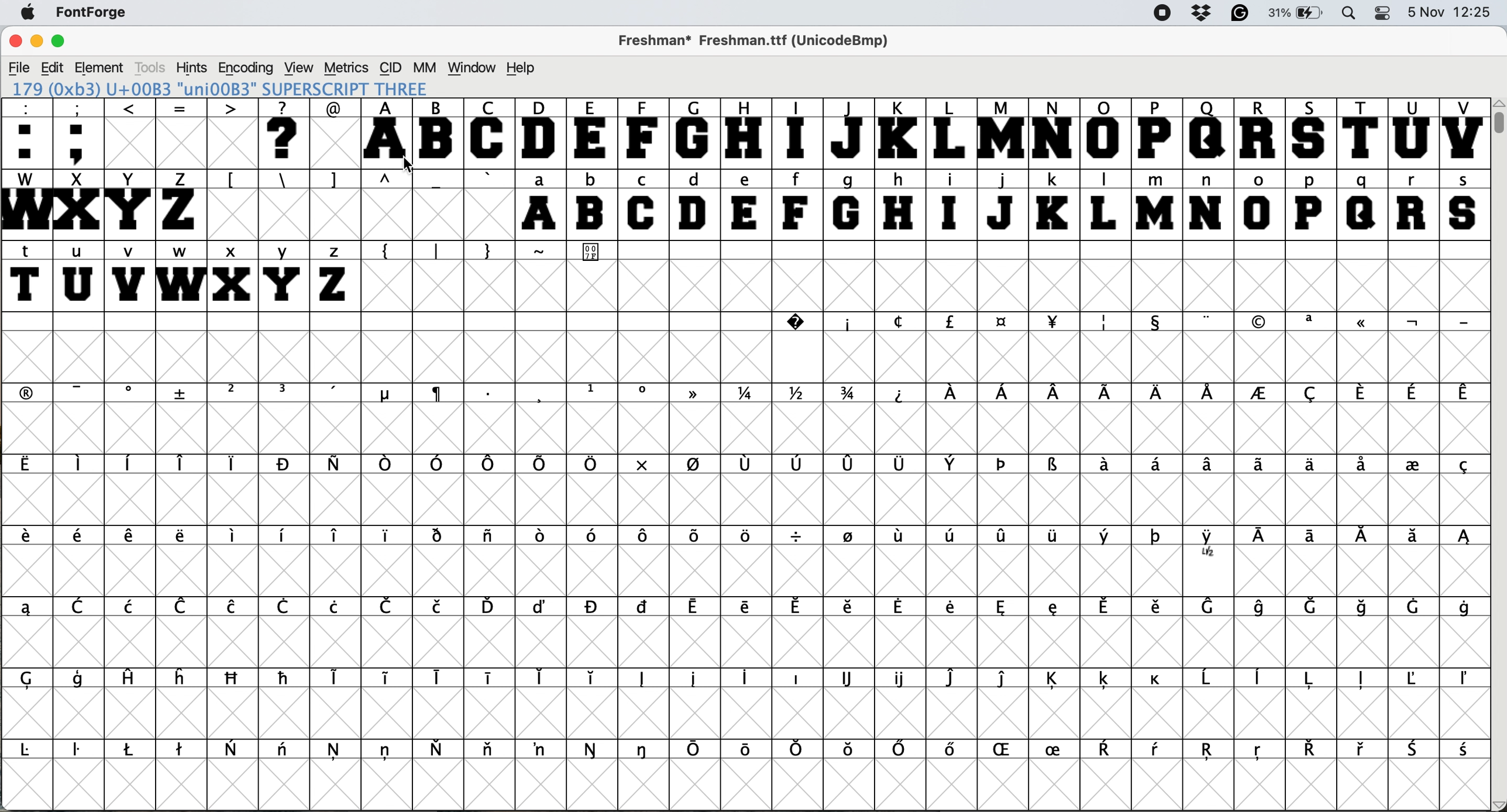 The image size is (1507, 812). I want to click on Symbol, so click(594, 253).